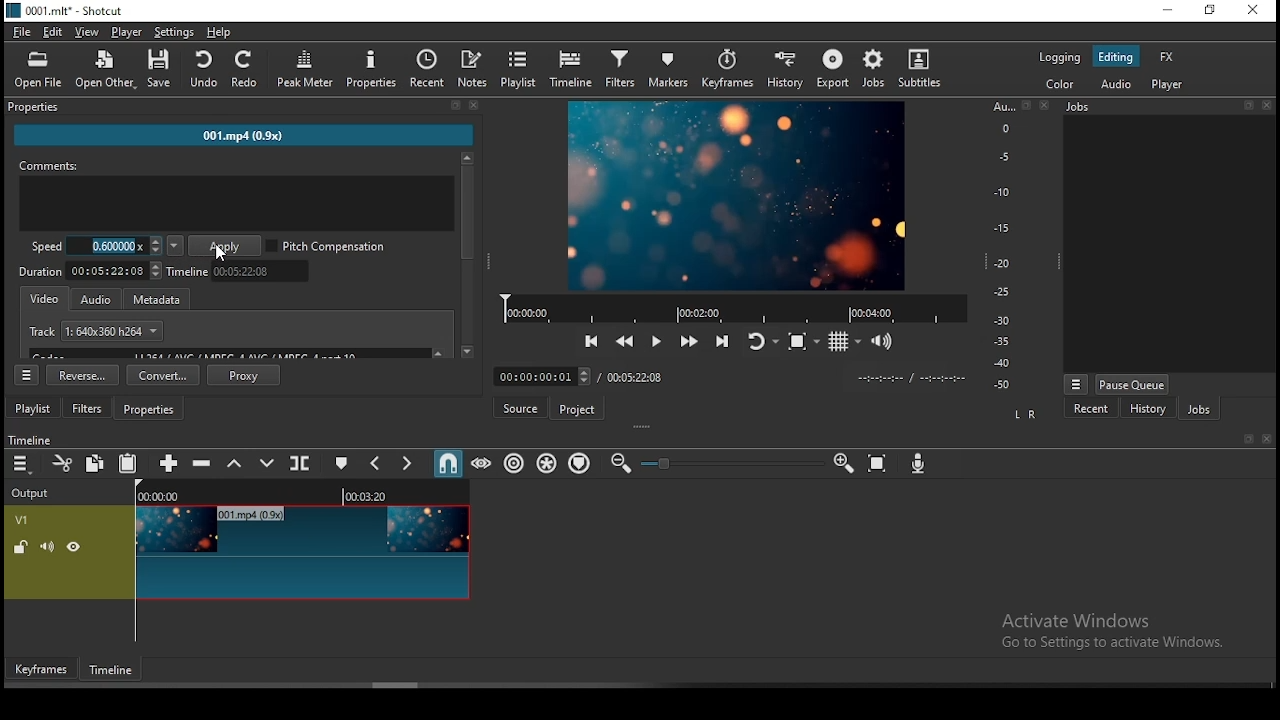 The image size is (1280, 720). I want to click on timeline, so click(575, 70).